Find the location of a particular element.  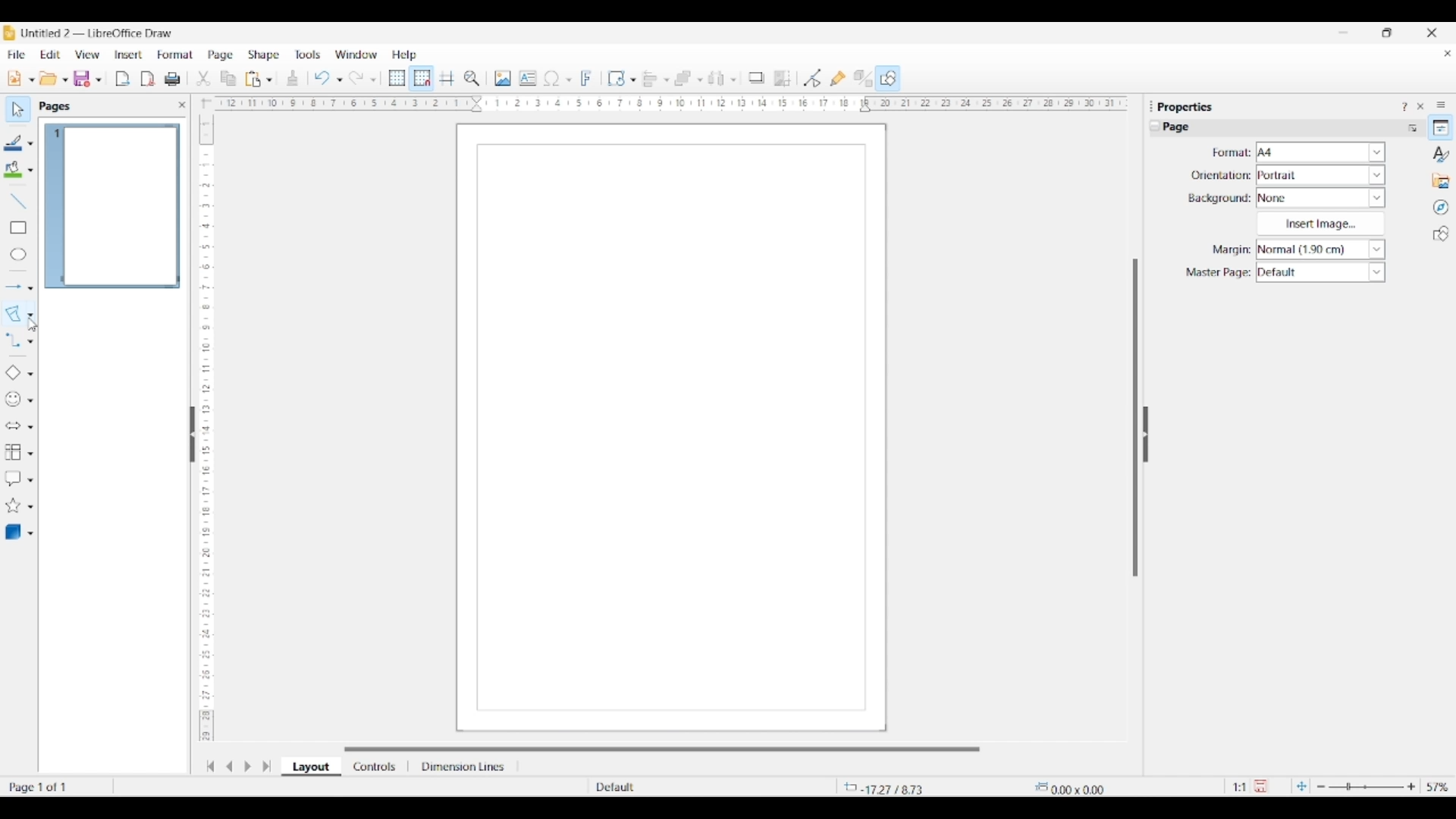

Selected open options is located at coordinates (49, 79).